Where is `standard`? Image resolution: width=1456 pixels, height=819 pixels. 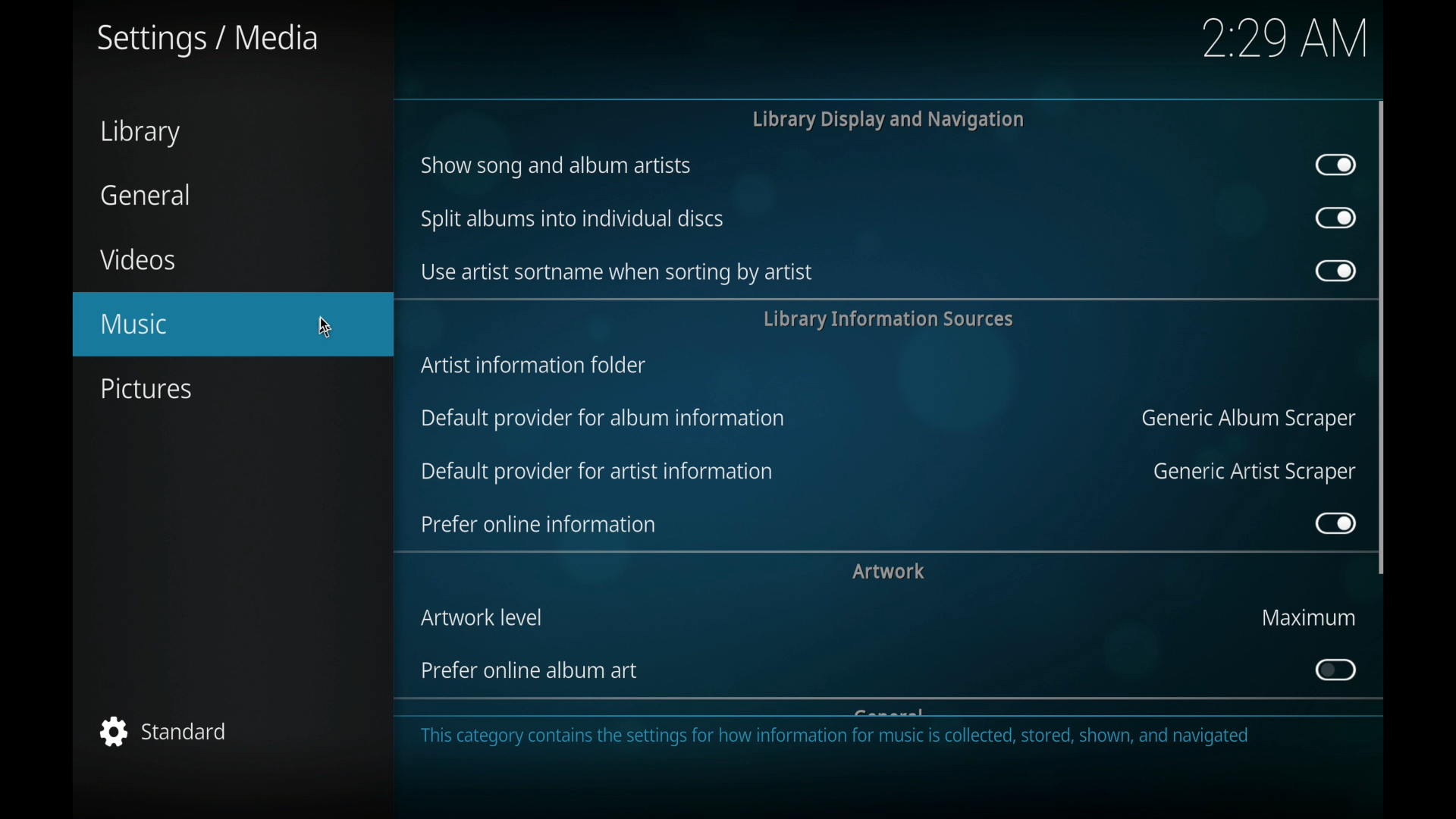 standard is located at coordinates (165, 733).